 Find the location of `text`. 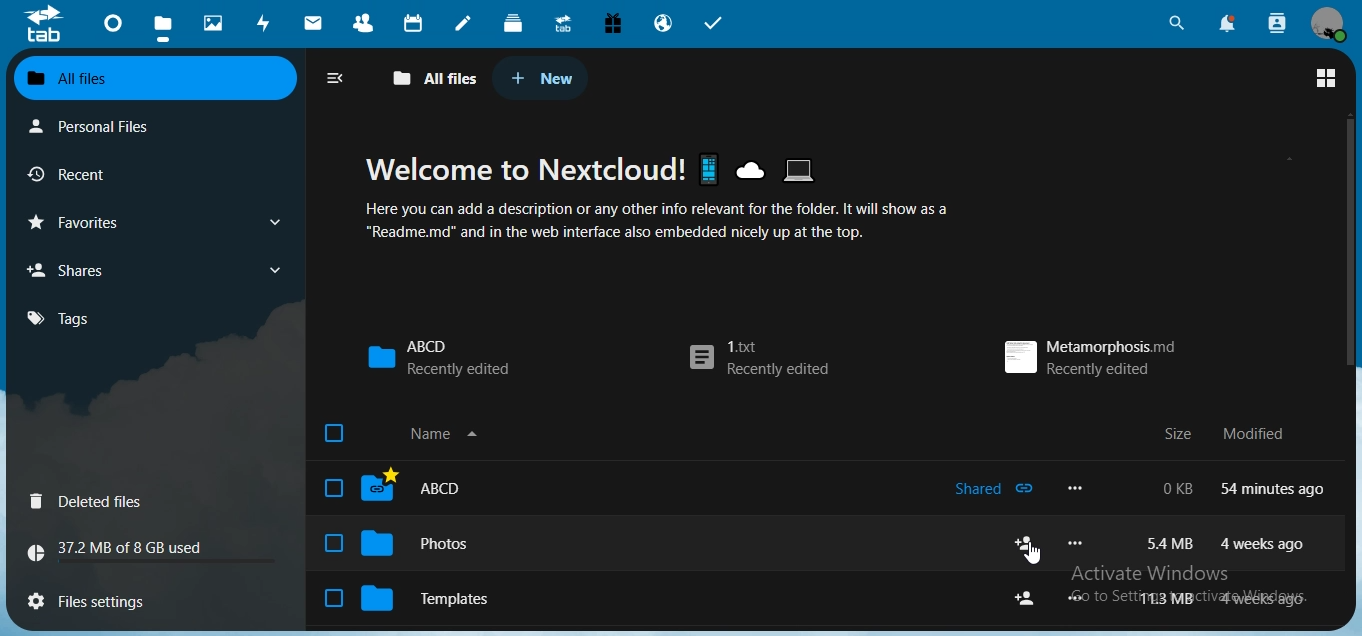

text is located at coordinates (1222, 542).